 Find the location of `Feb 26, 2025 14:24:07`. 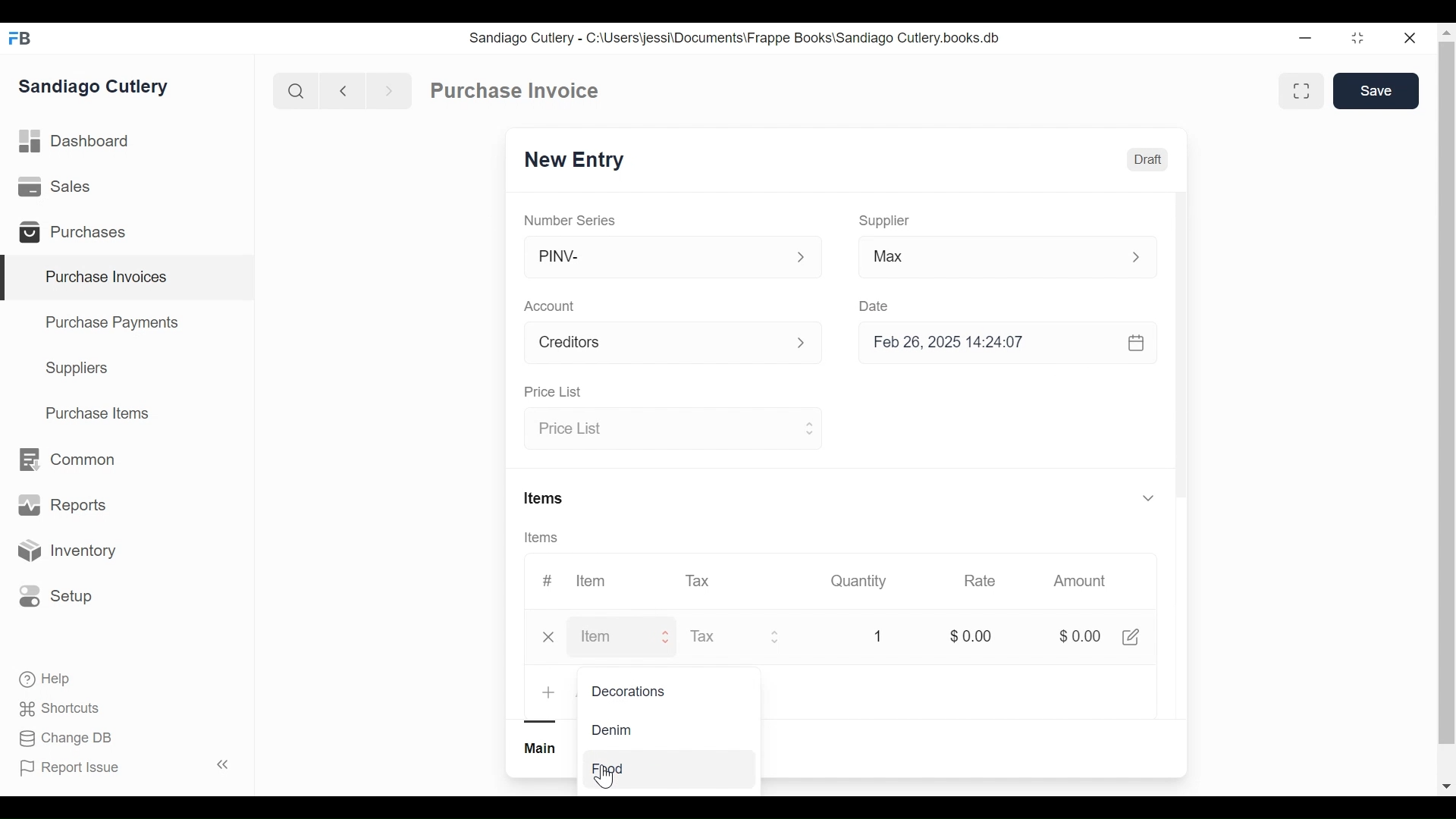

Feb 26, 2025 14:24:07 is located at coordinates (1001, 342).